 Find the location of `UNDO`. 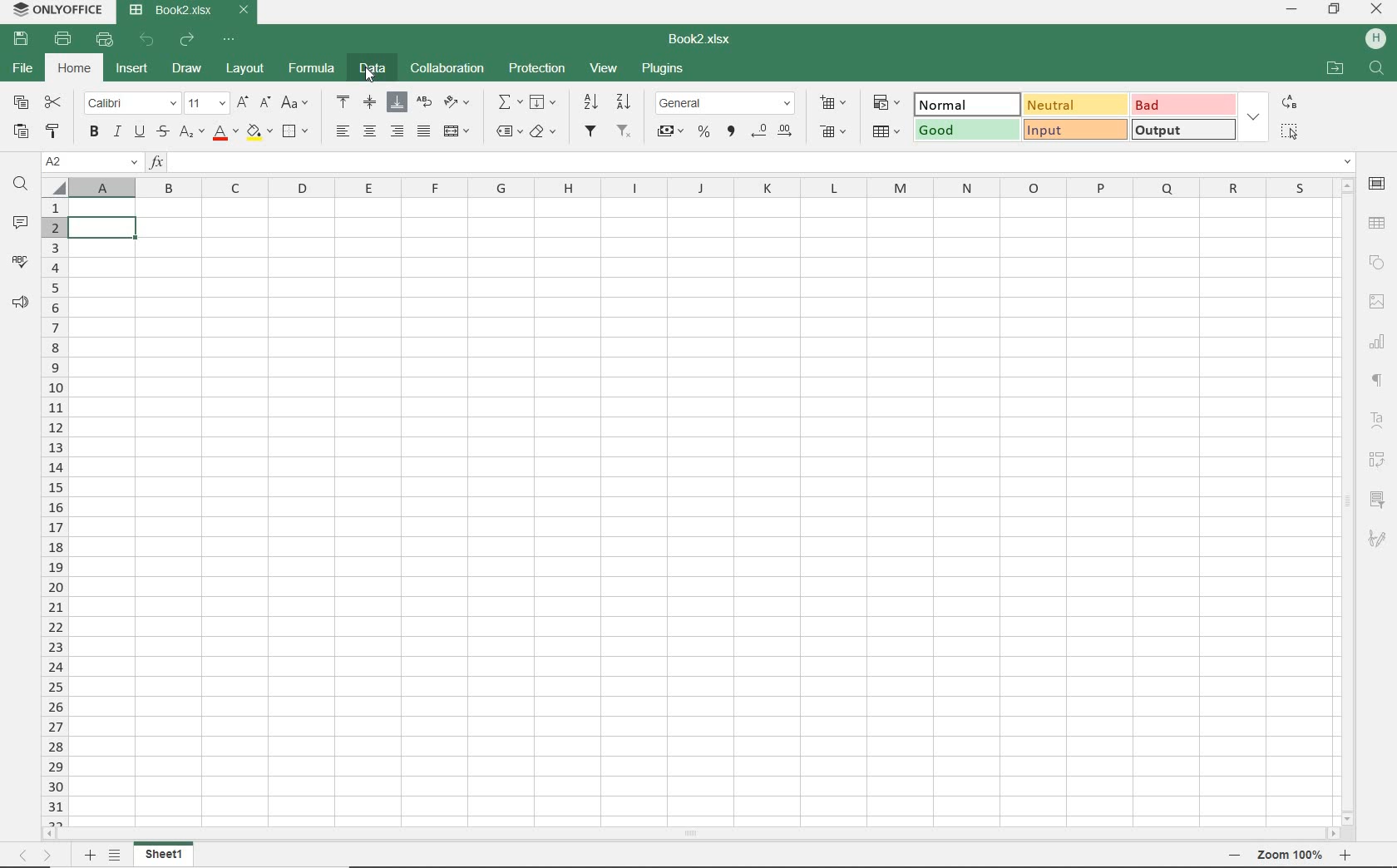

UNDO is located at coordinates (146, 40).